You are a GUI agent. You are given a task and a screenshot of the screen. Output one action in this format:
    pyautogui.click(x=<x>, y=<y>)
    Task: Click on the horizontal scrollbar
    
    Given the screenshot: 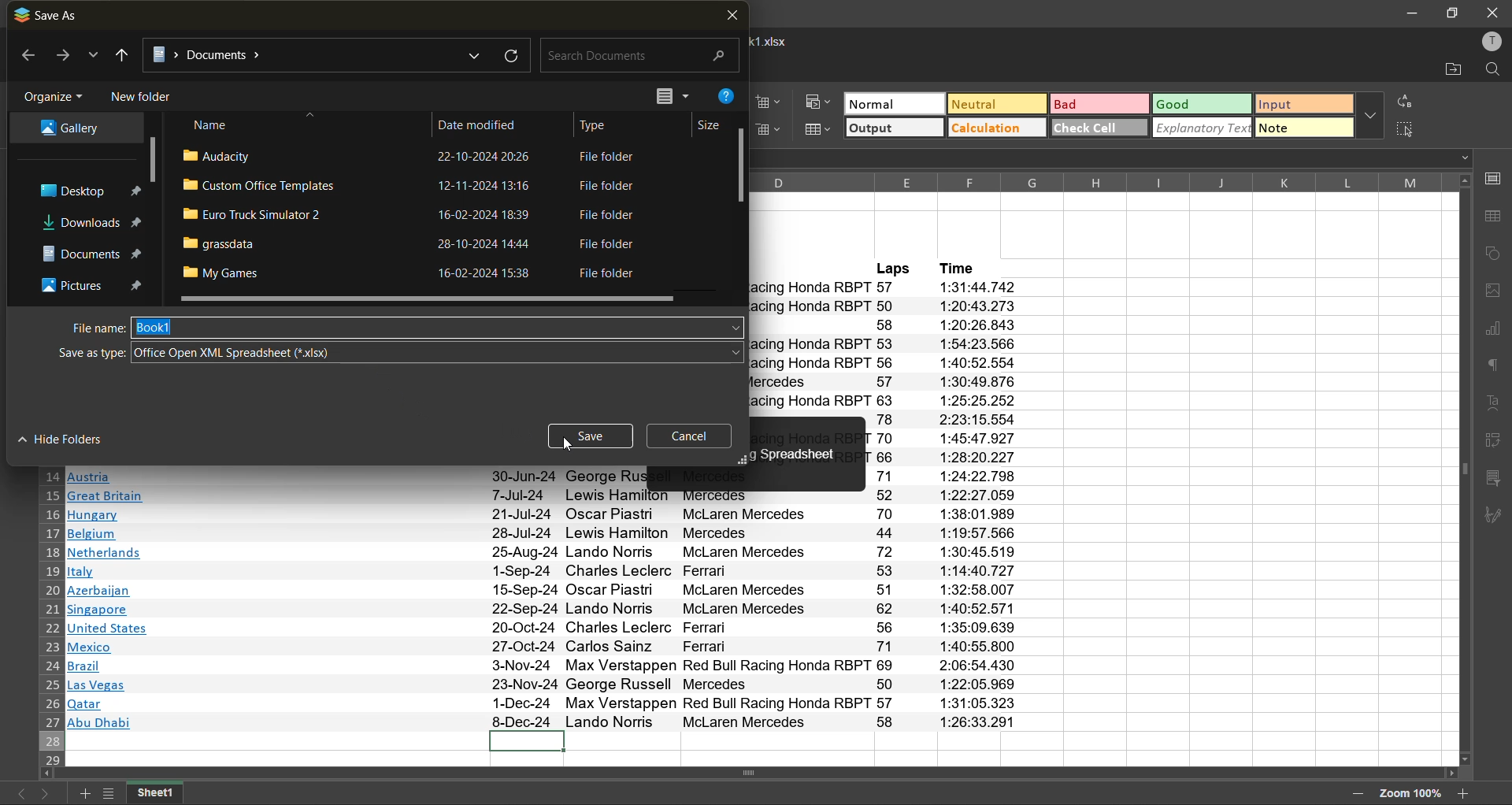 What is the action you would take?
    pyautogui.click(x=752, y=772)
    